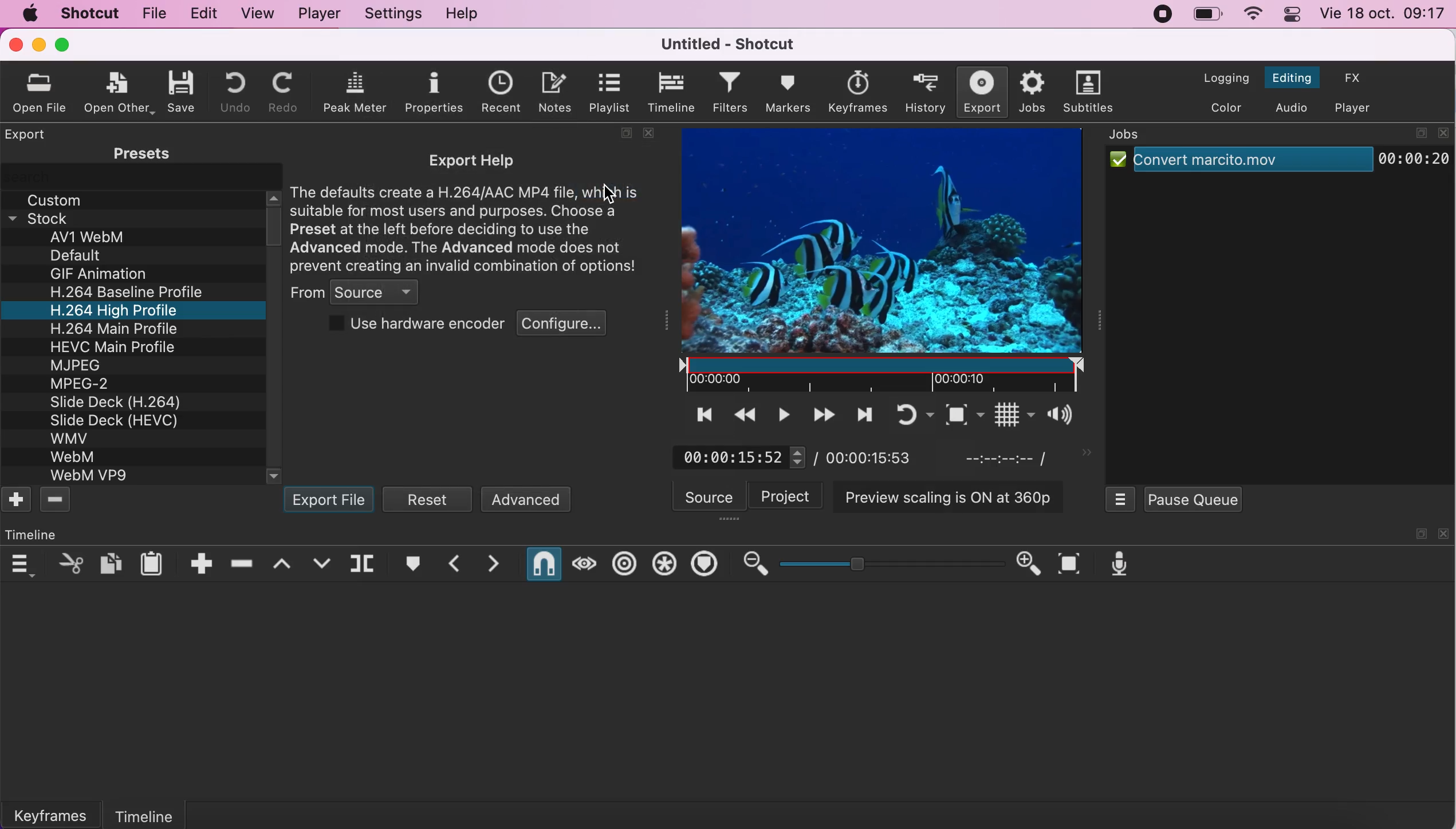  I want to click on next marker, so click(494, 564).